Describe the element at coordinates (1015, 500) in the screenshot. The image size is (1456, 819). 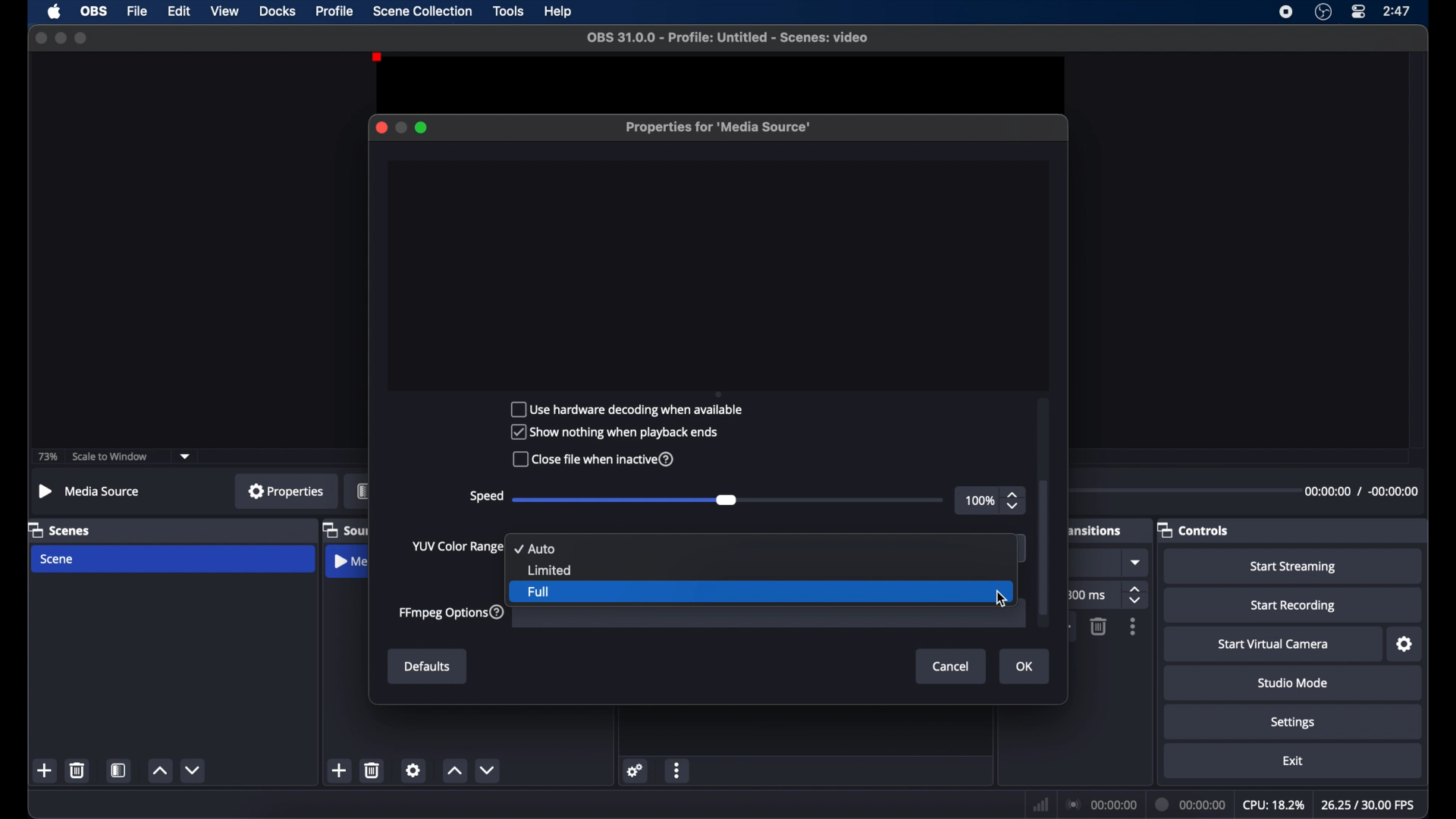
I see `stepper button` at that location.